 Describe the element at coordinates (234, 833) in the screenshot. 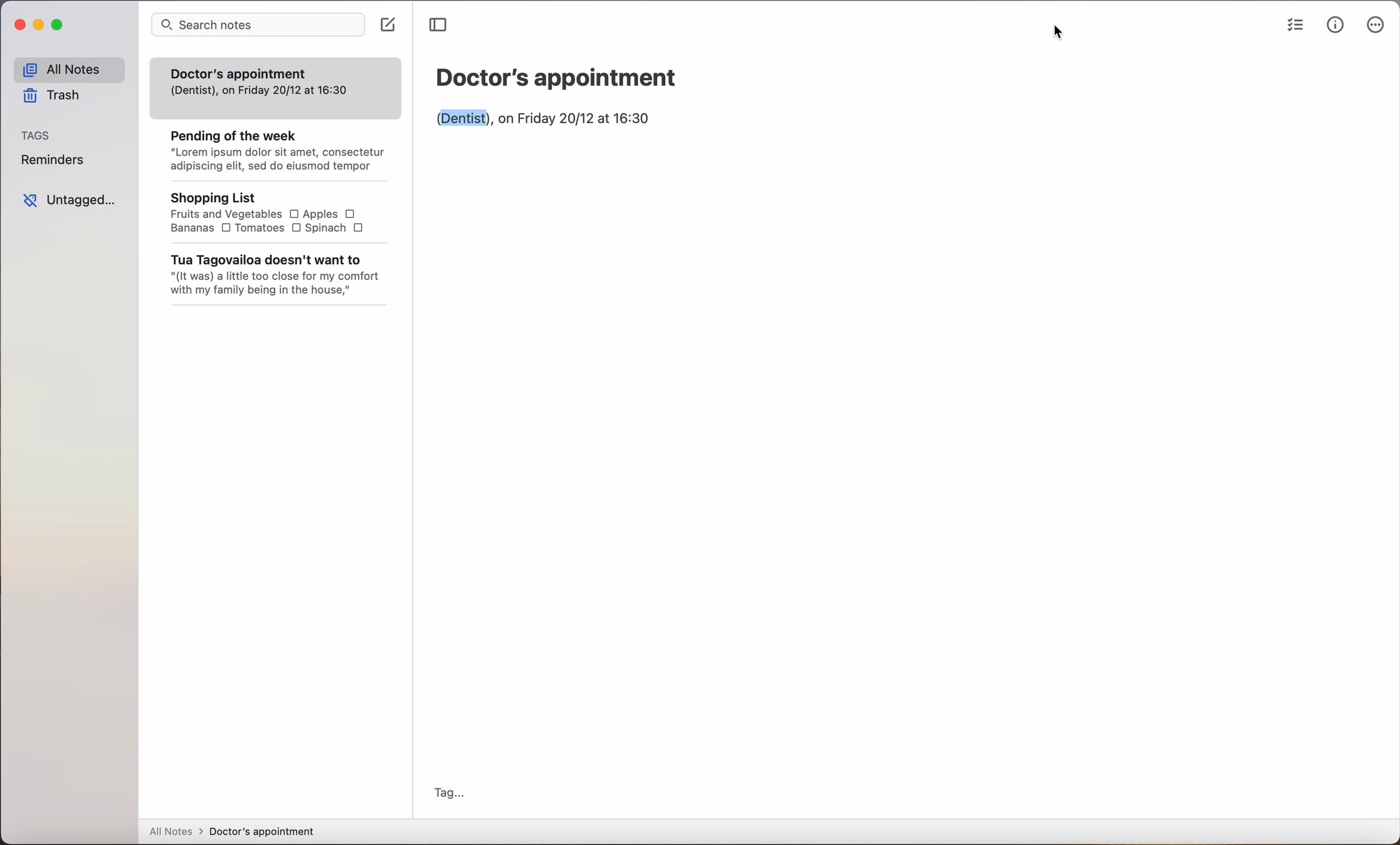

I see `all notes > Doctor's appointment` at that location.